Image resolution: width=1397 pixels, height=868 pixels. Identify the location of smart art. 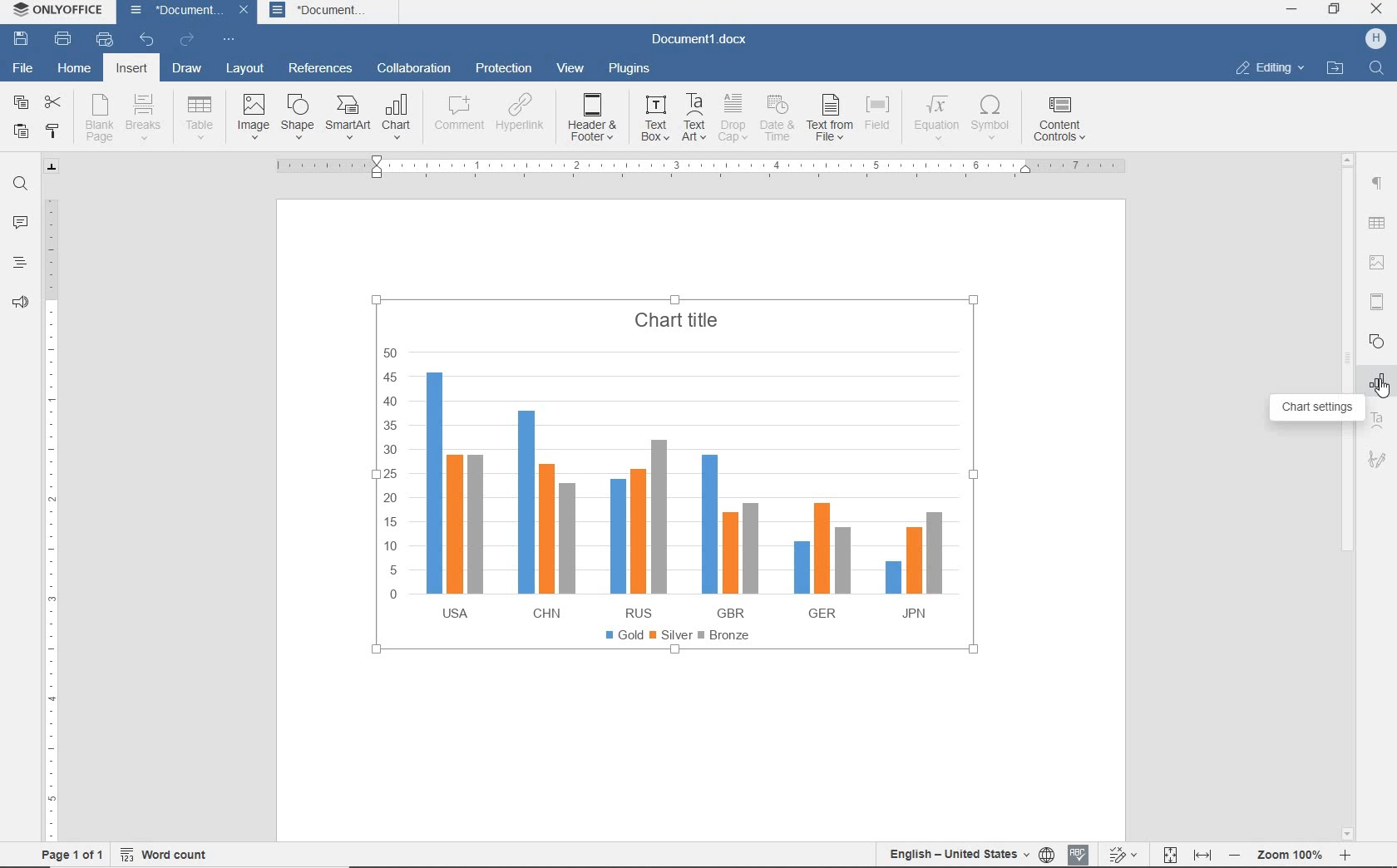
(348, 119).